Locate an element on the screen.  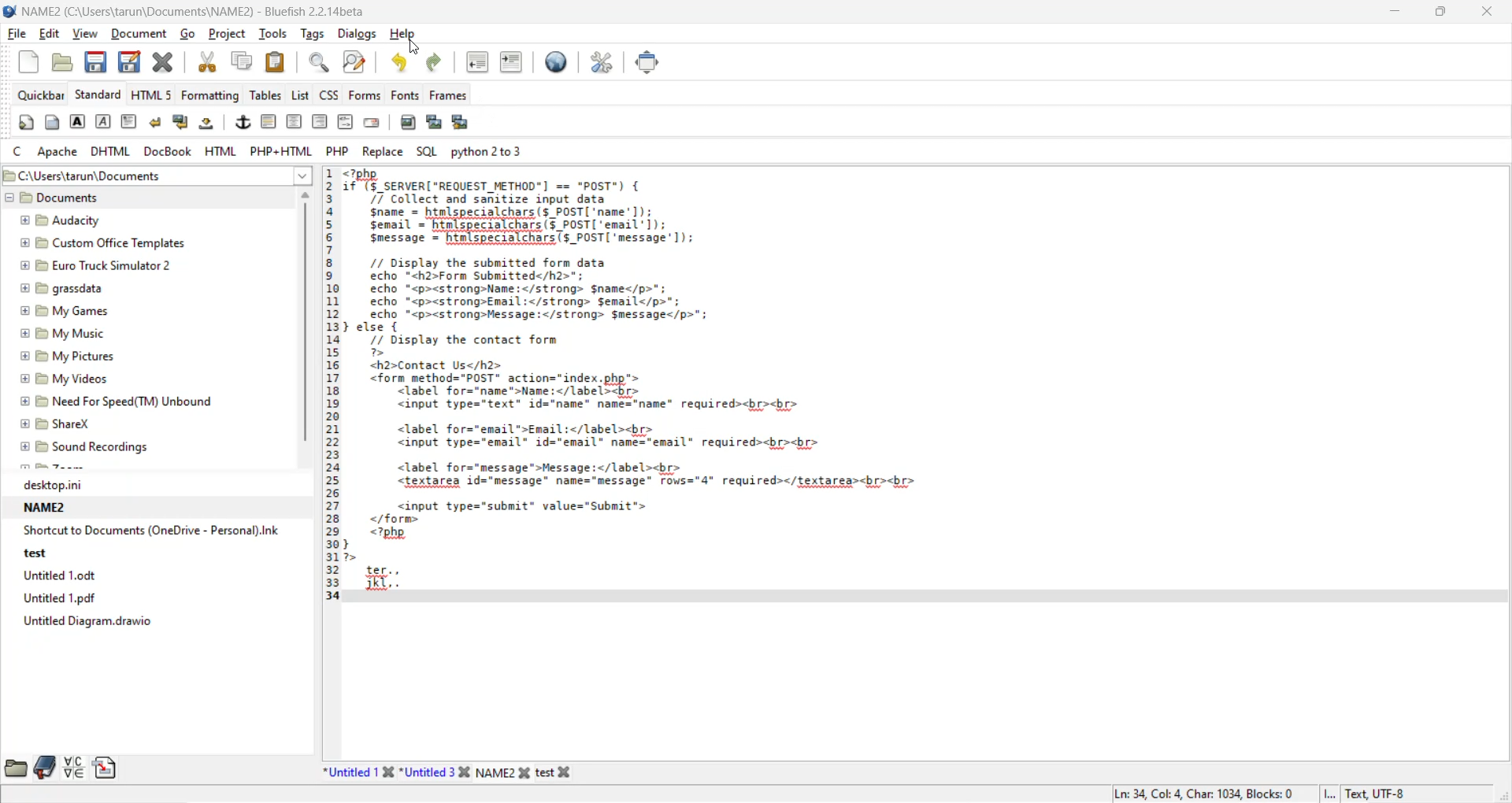
edit preferences is located at coordinates (602, 61).